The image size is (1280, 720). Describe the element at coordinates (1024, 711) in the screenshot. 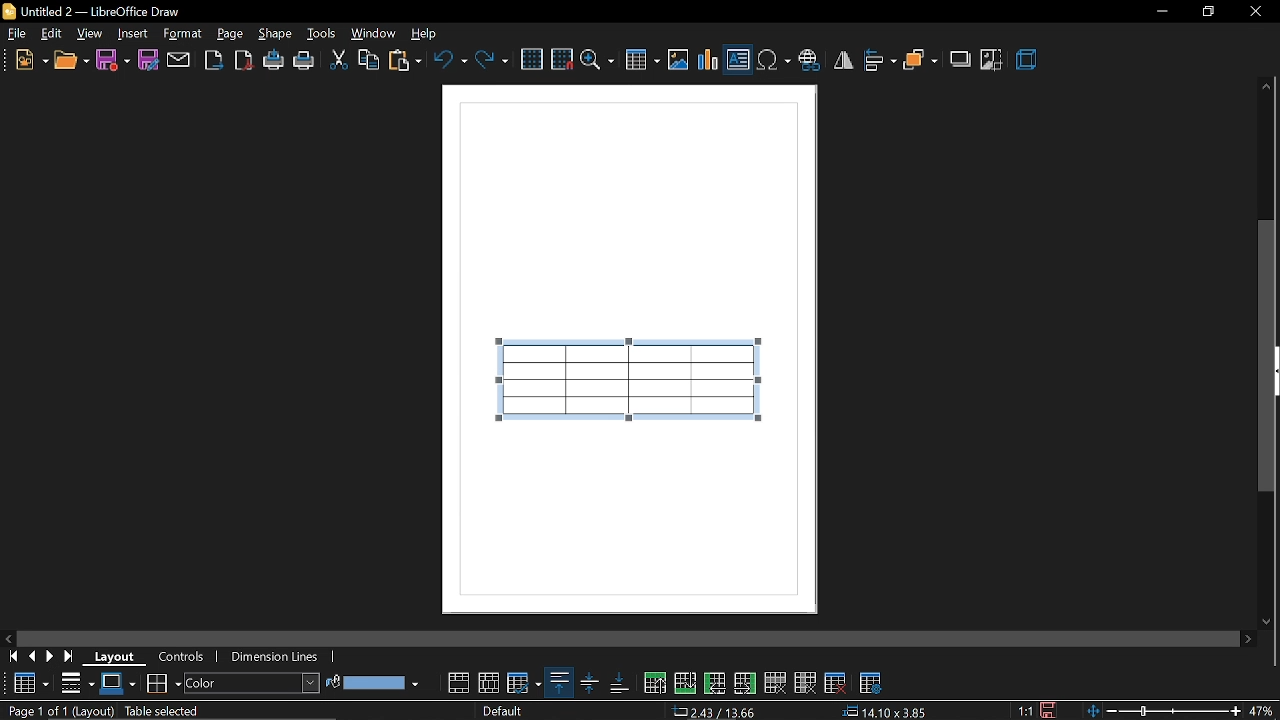

I see `1:1` at that location.